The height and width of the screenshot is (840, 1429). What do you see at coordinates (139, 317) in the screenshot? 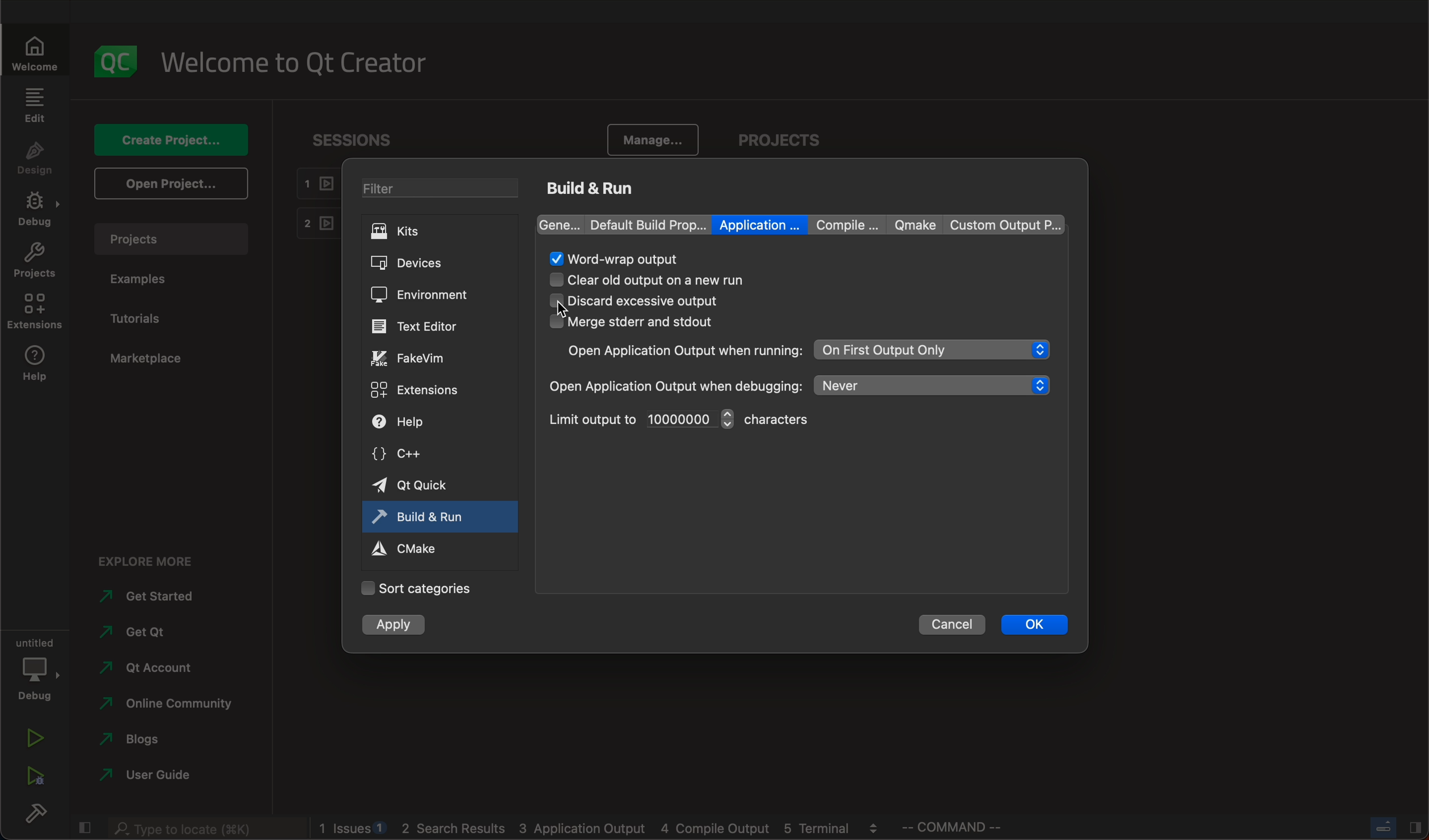
I see `tutorial` at bounding box center [139, 317].